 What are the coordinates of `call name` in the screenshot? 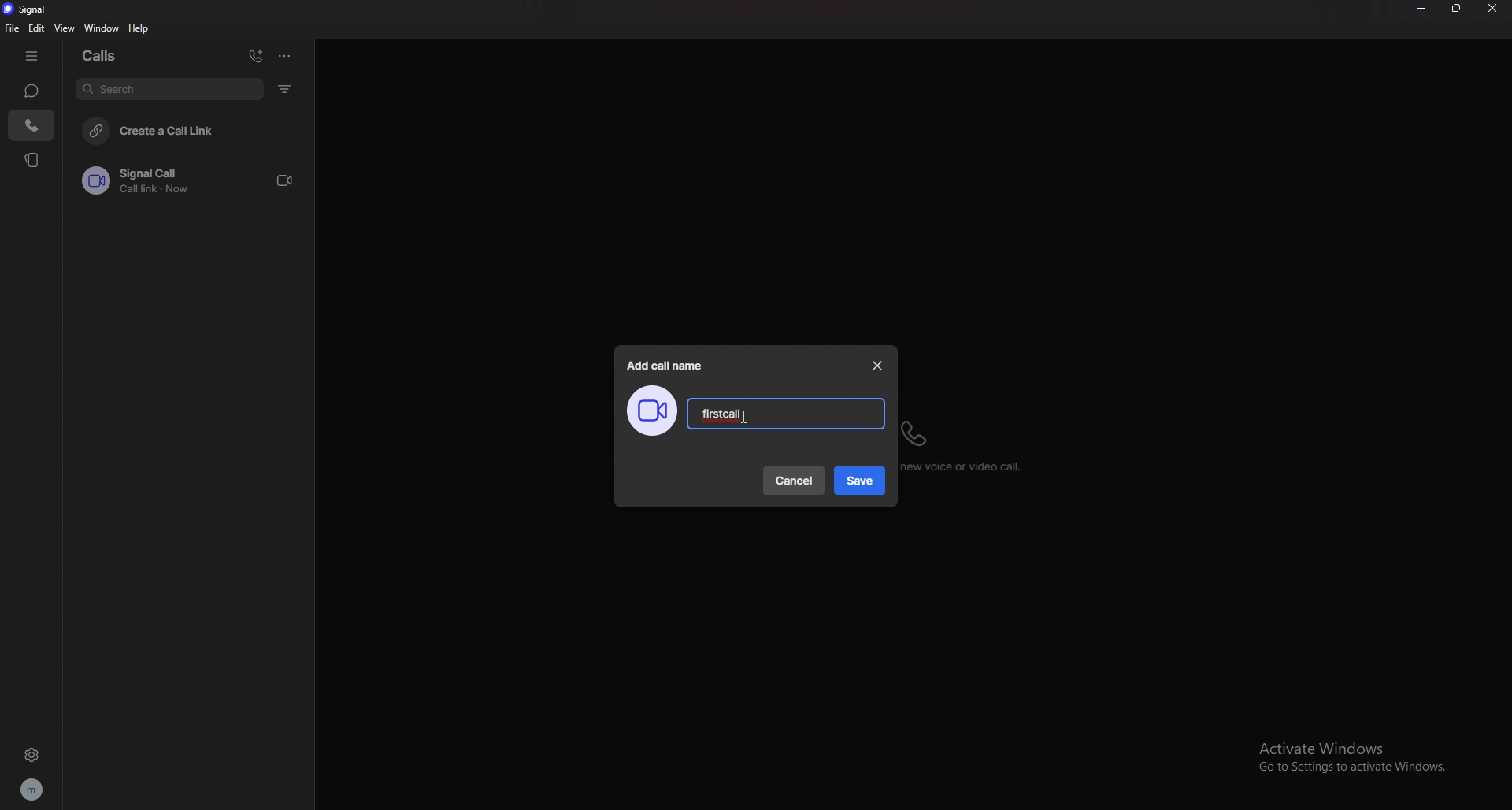 It's located at (721, 414).